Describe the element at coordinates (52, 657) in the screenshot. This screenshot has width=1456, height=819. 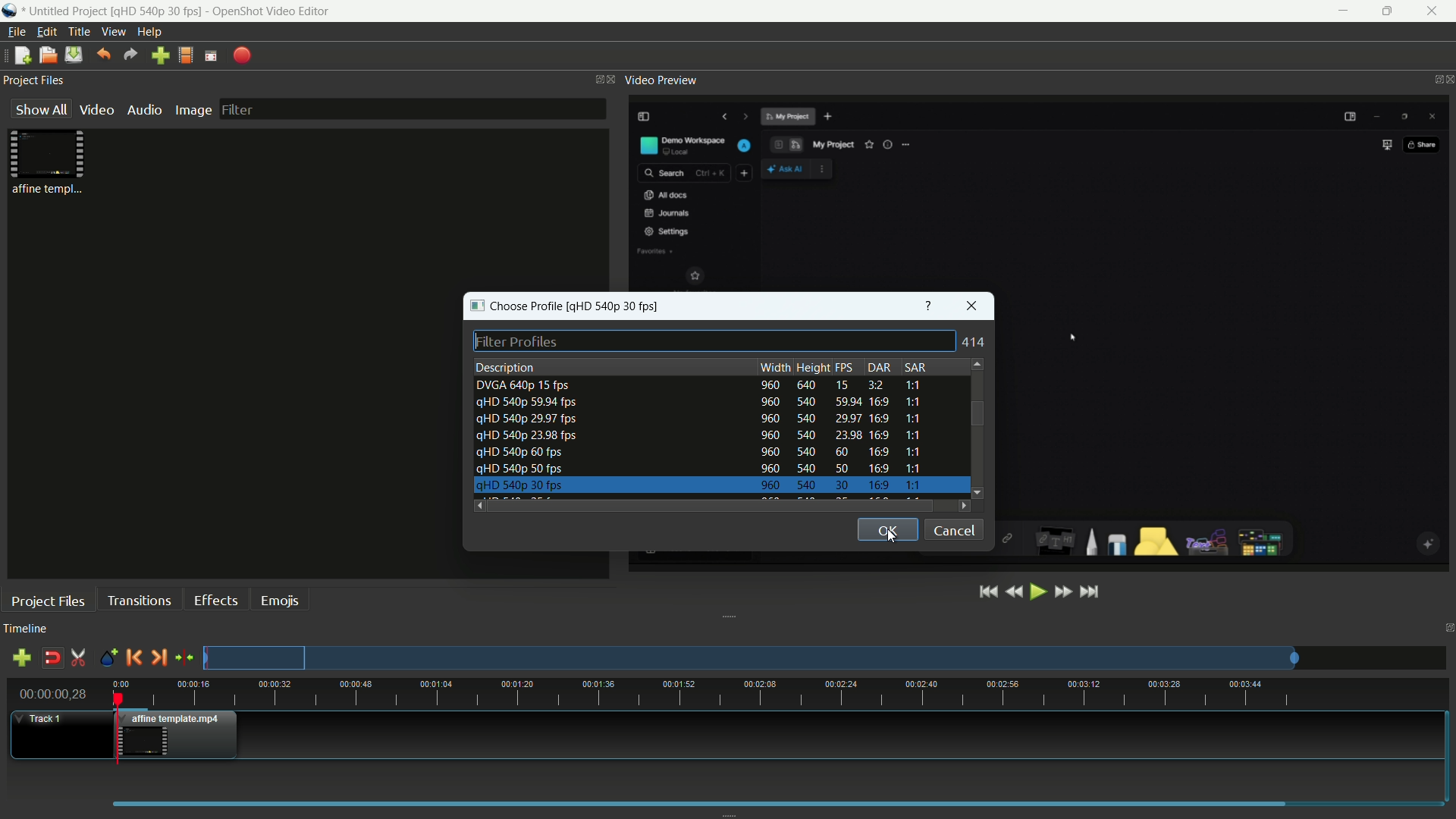
I see `disable snap` at that location.